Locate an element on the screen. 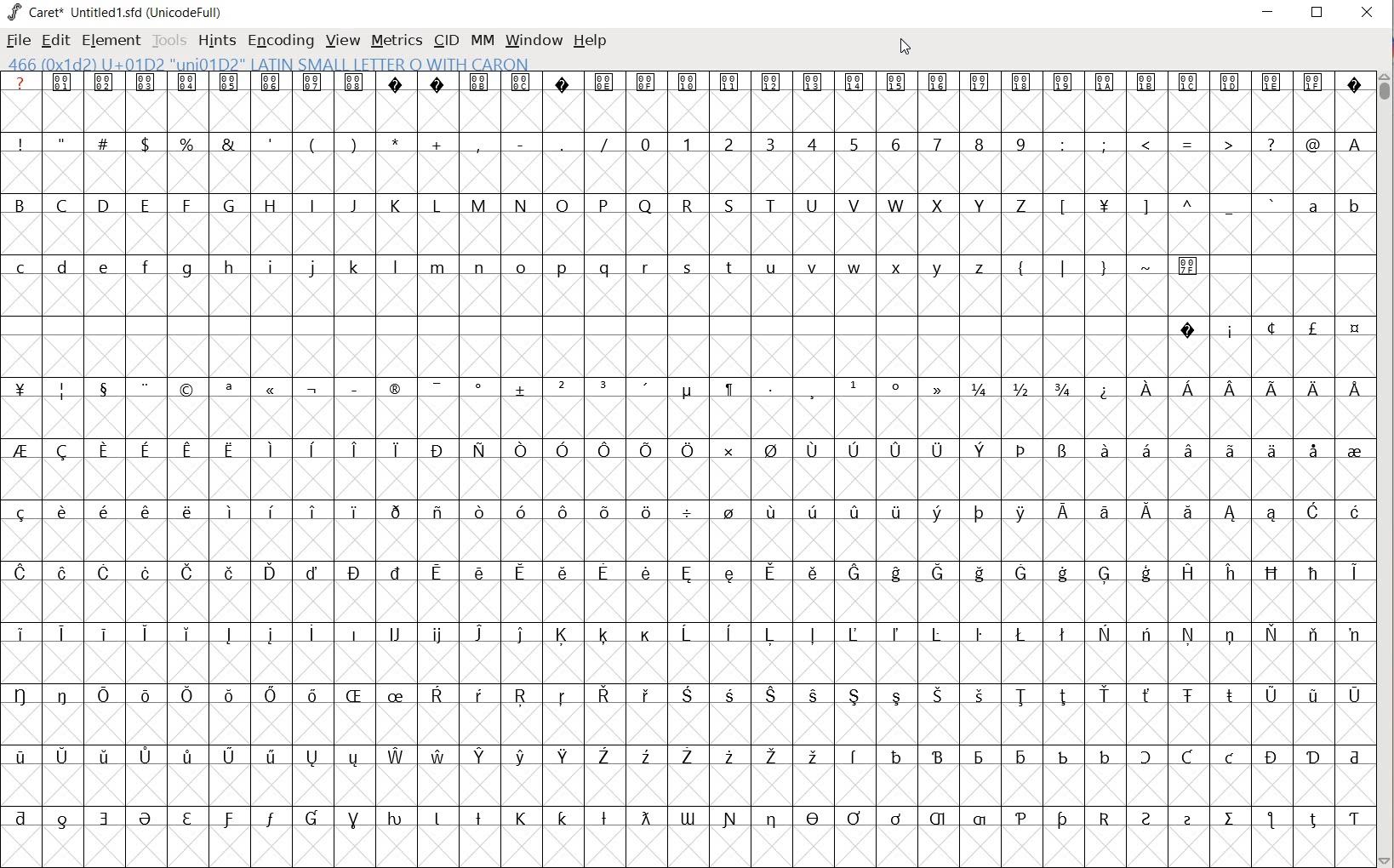 The image size is (1394, 868). glyph characters is located at coordinates (684, 454).